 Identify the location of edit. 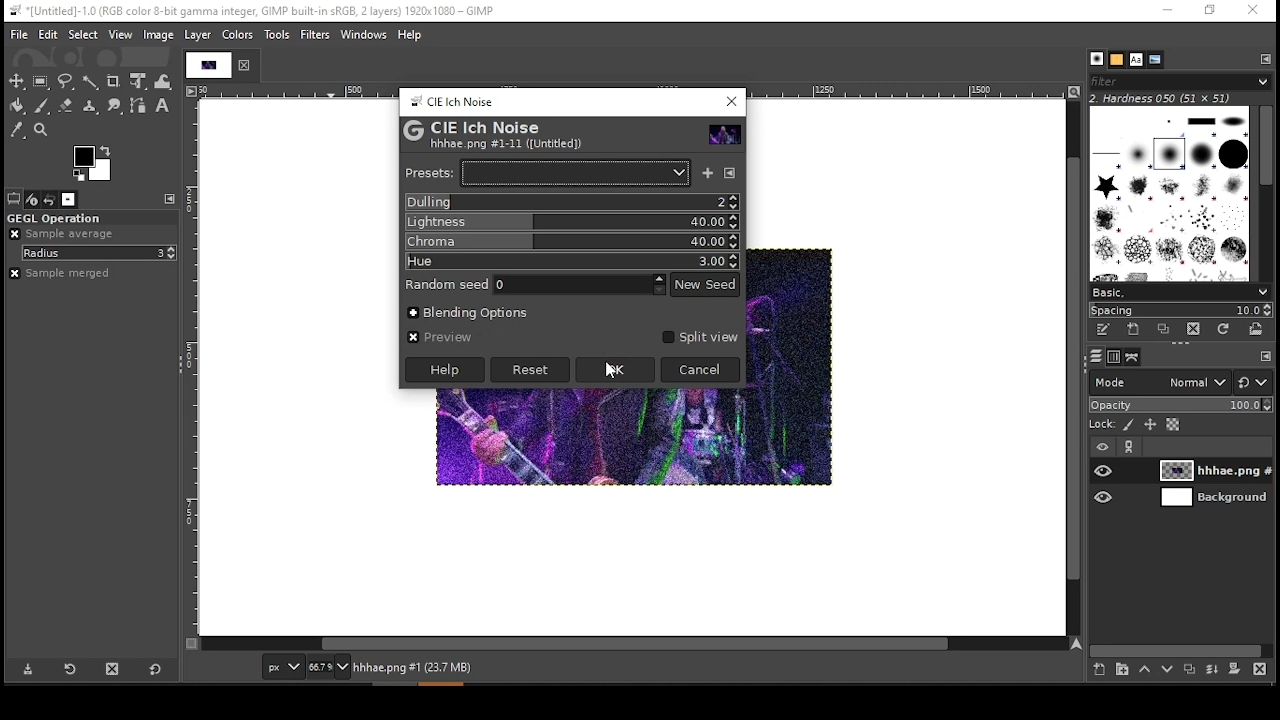
(49, 34).